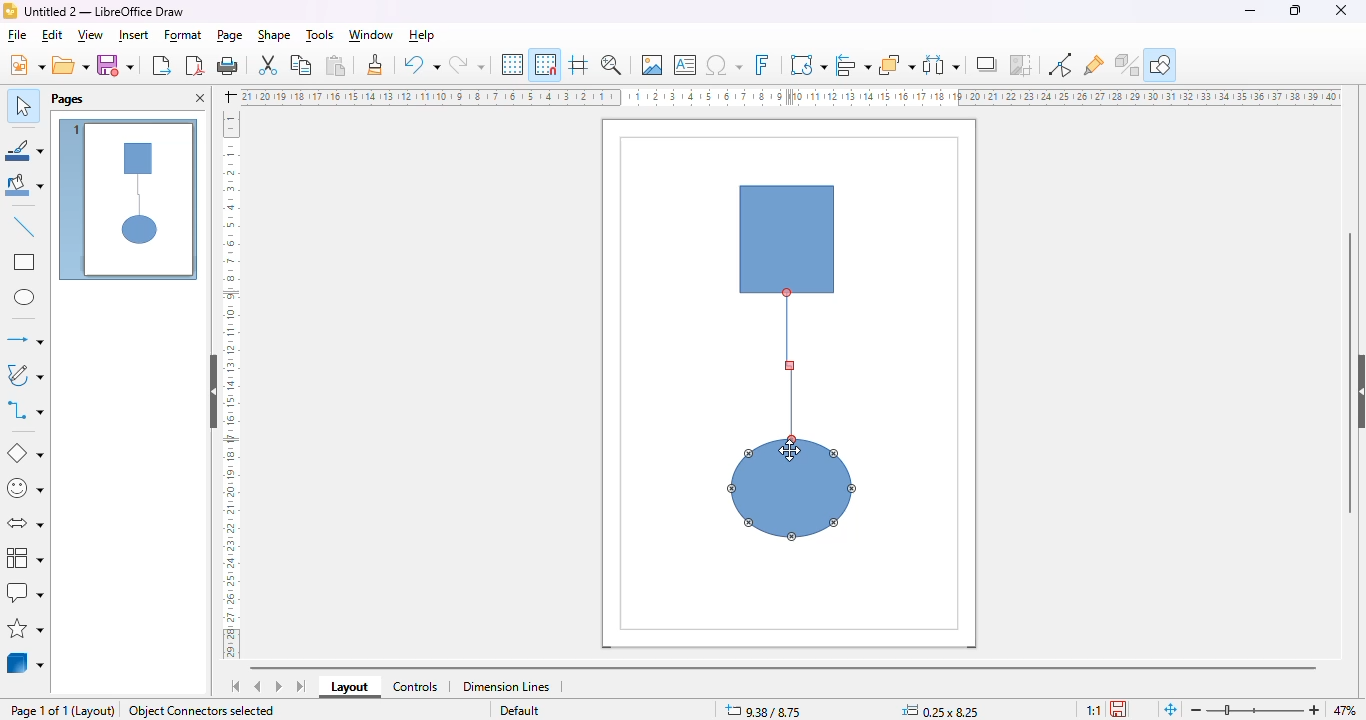  Describe the element at coordinates (26, 489) in the screenshot. I see `symbol shapes` at that location.